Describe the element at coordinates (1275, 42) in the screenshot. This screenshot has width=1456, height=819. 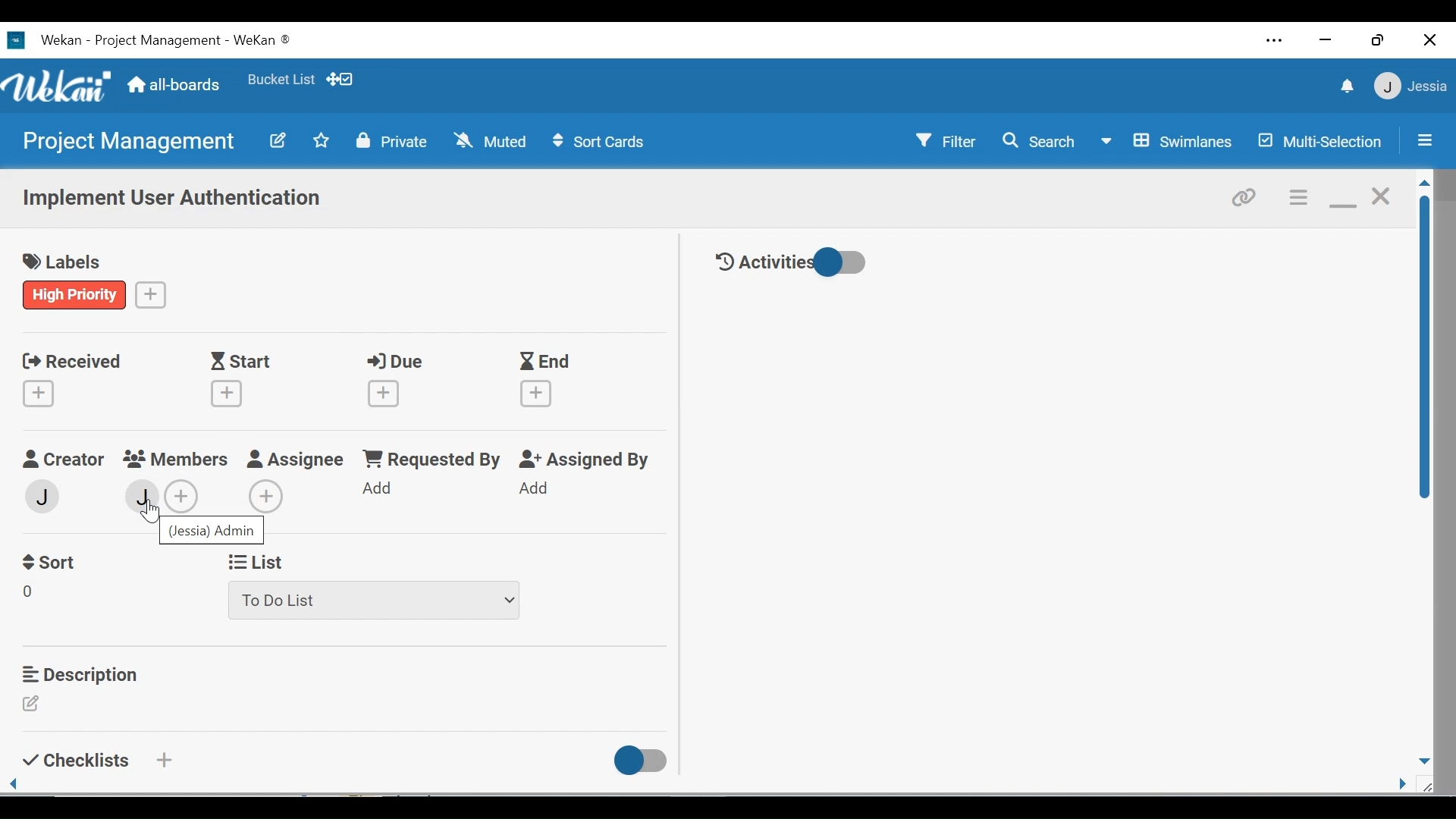
I see `Settings and more` at that location.